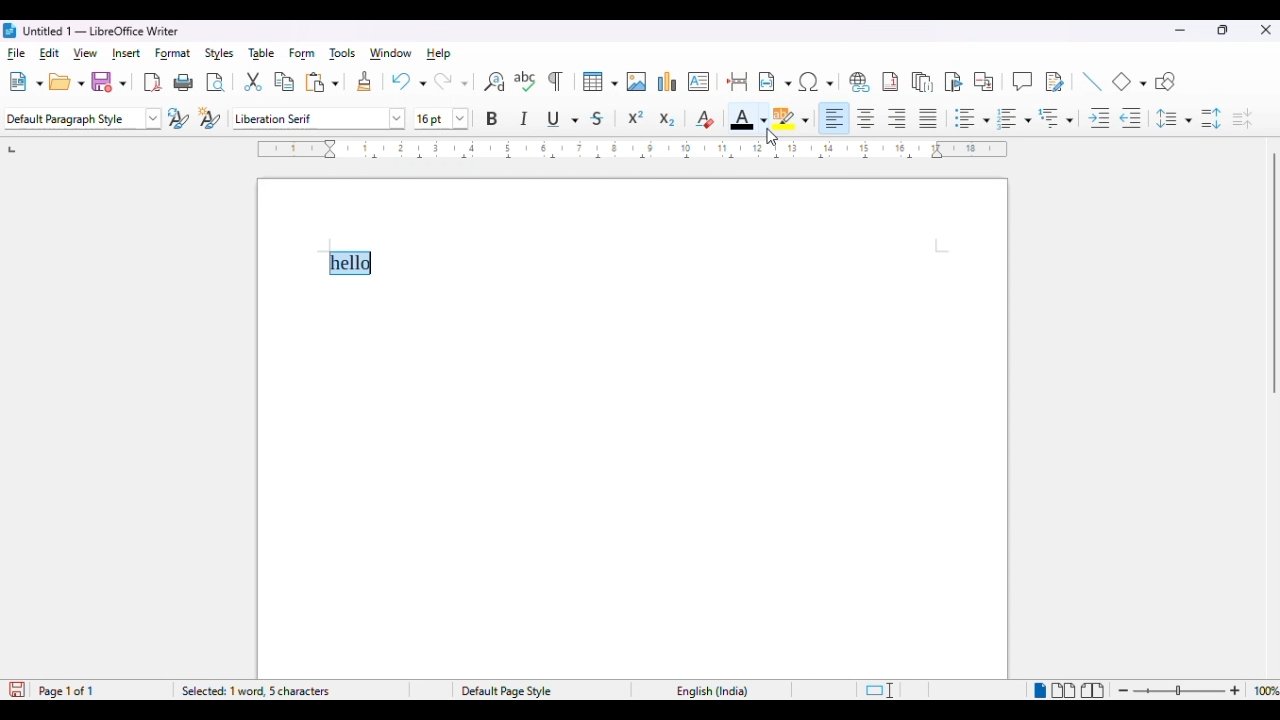 The image size is (1280, 720). I want to click on new, so click(25, 83).